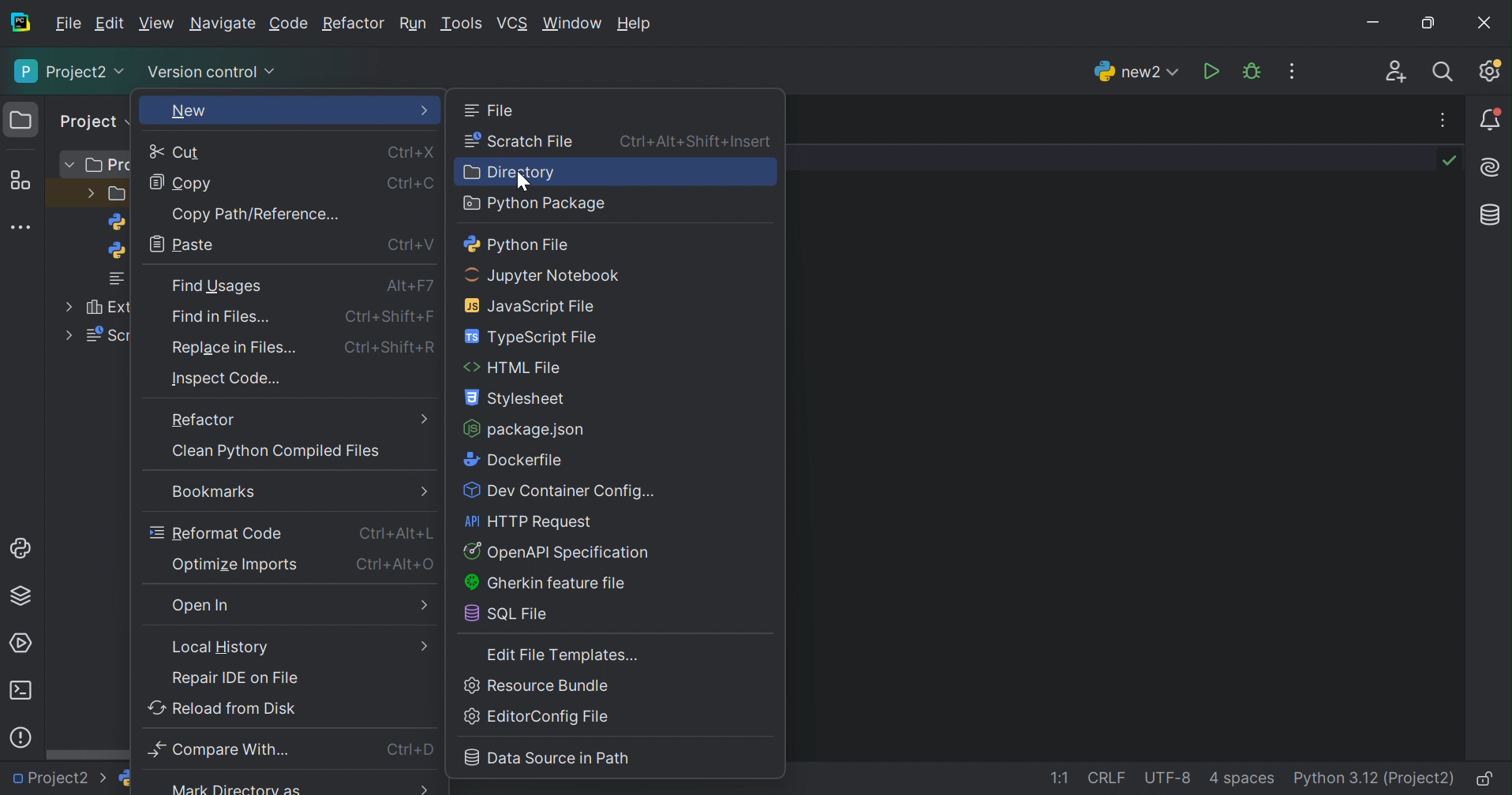 The height and width of the screenshot is (795, 1512). What do you see at coordinates (526, 307) in the screenshot?
I see `Javascript file` at bounding box center [526, 307].